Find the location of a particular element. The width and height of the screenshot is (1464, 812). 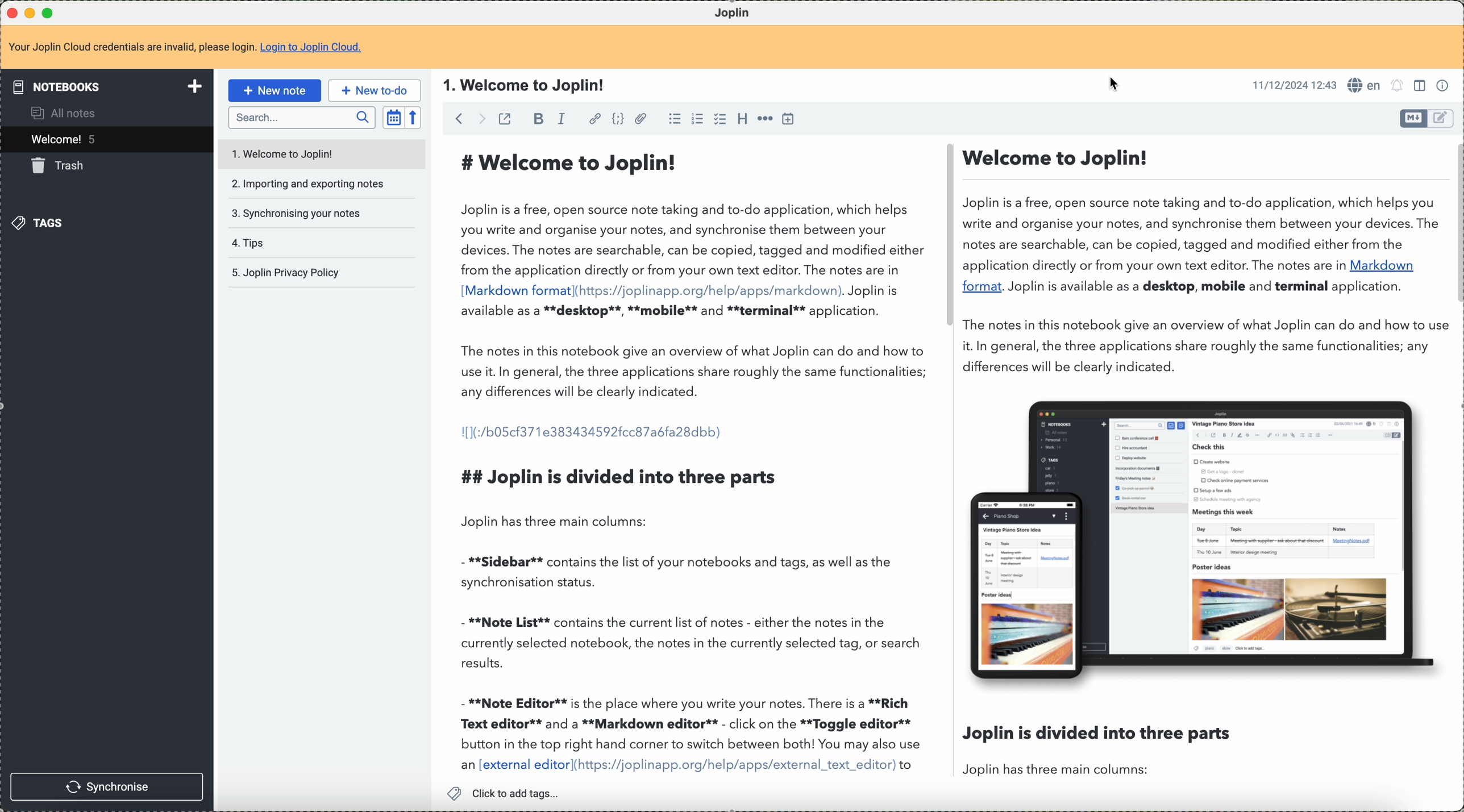

Joplin is divided into three parts Joplin has three main columns: is located at coordinates (1097, 749).